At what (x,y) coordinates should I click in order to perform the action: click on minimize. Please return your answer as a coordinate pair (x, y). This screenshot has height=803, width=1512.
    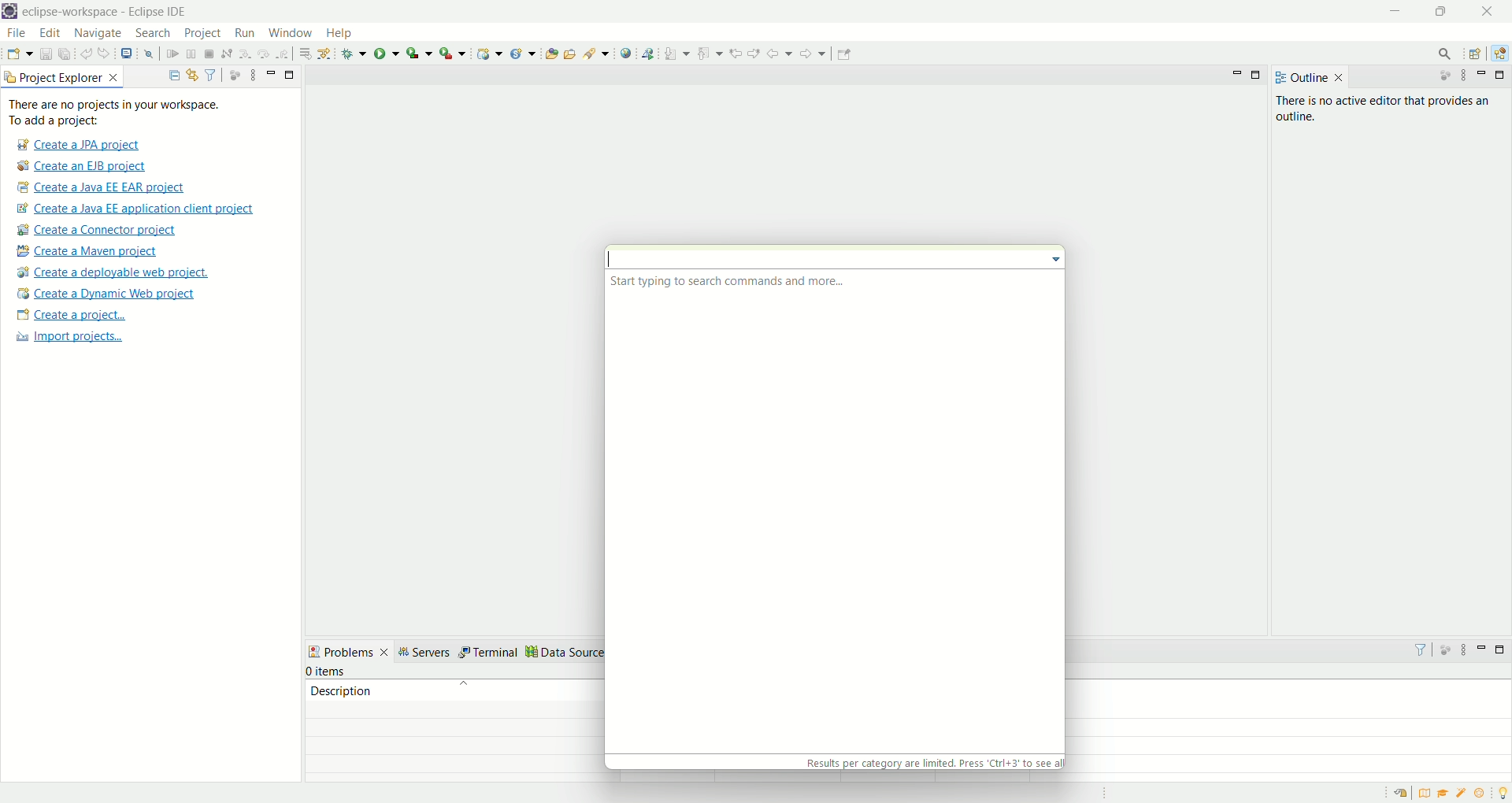
    Looking at the image, I should click on (271, 72).